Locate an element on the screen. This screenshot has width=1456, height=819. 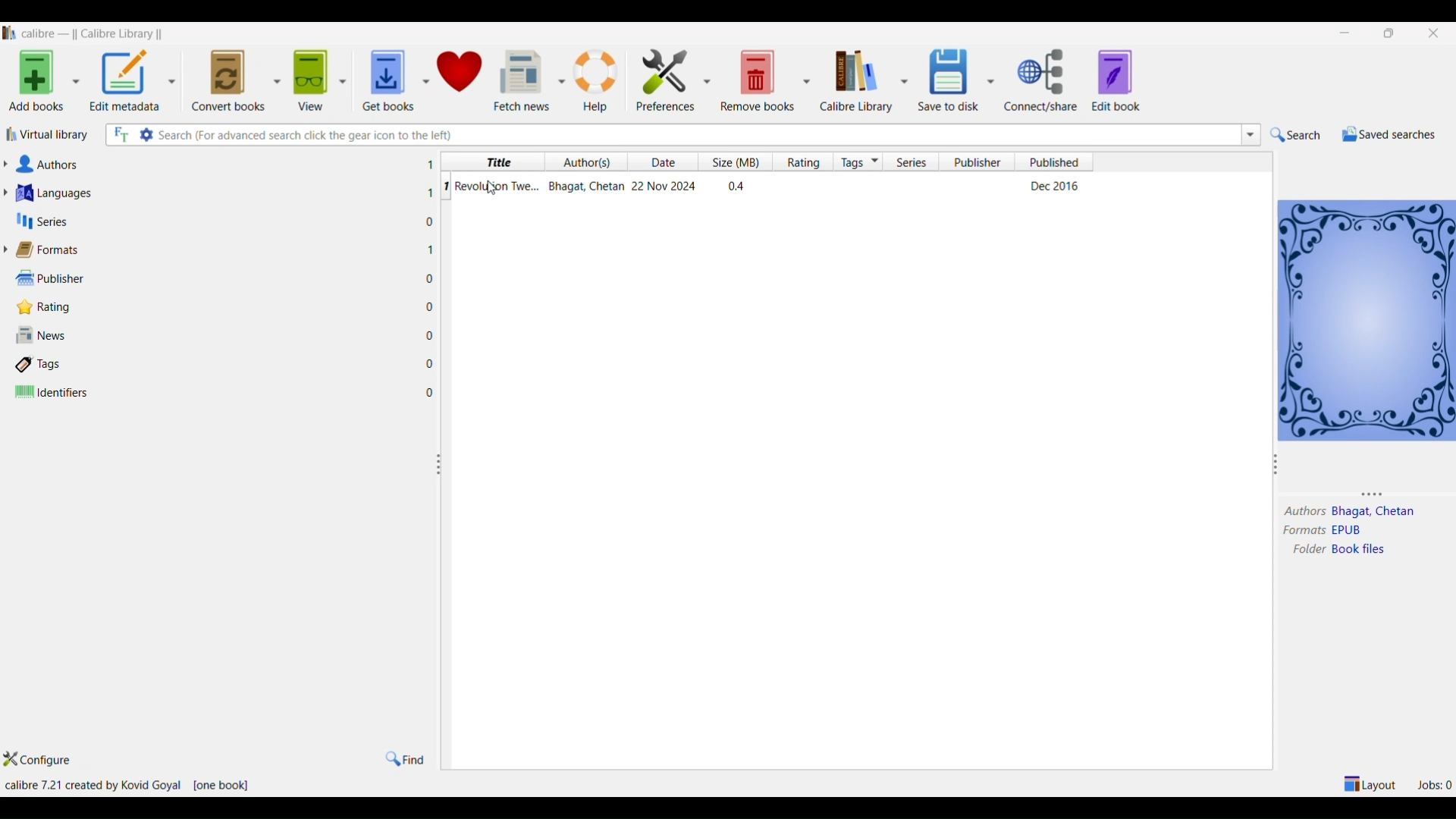
get books is located at coordinates (383, 76).